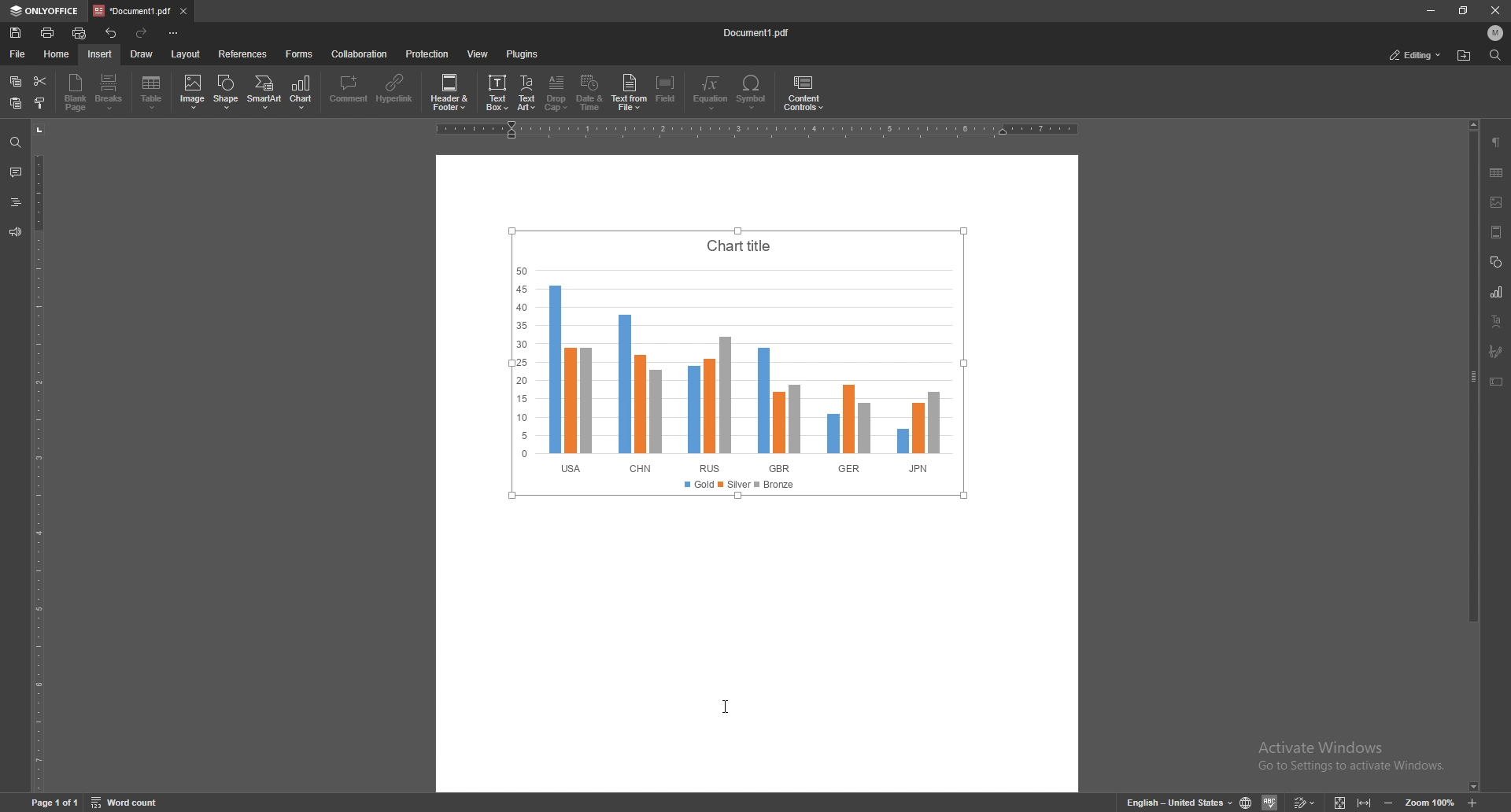 The height and width of the screenshot is (812, 1511). What do you see at coordinates (395, 92) in the screenshot?
I see `hyperlink` at bounding box center [395, 92].